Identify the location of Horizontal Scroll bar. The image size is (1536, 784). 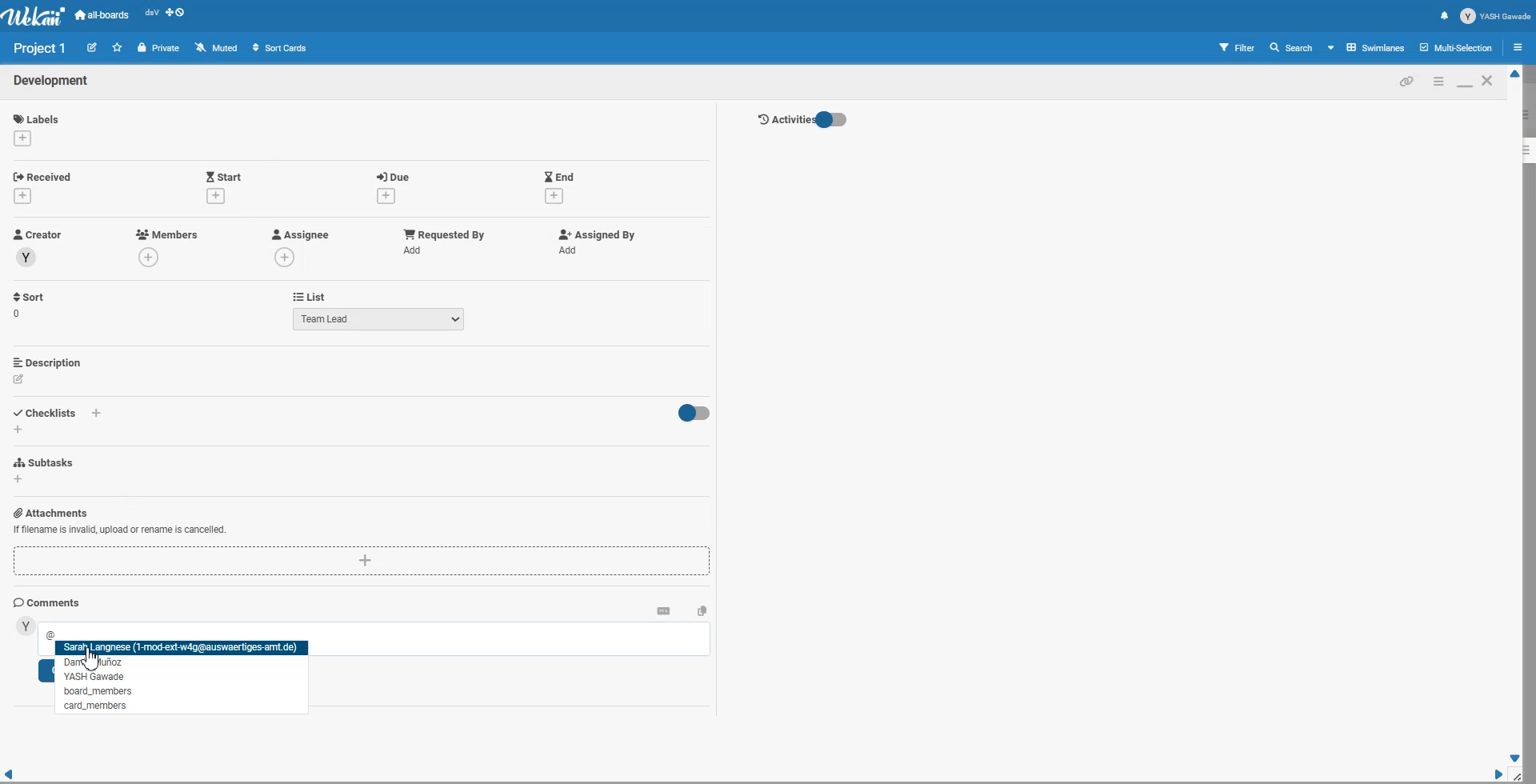
(752, 775).